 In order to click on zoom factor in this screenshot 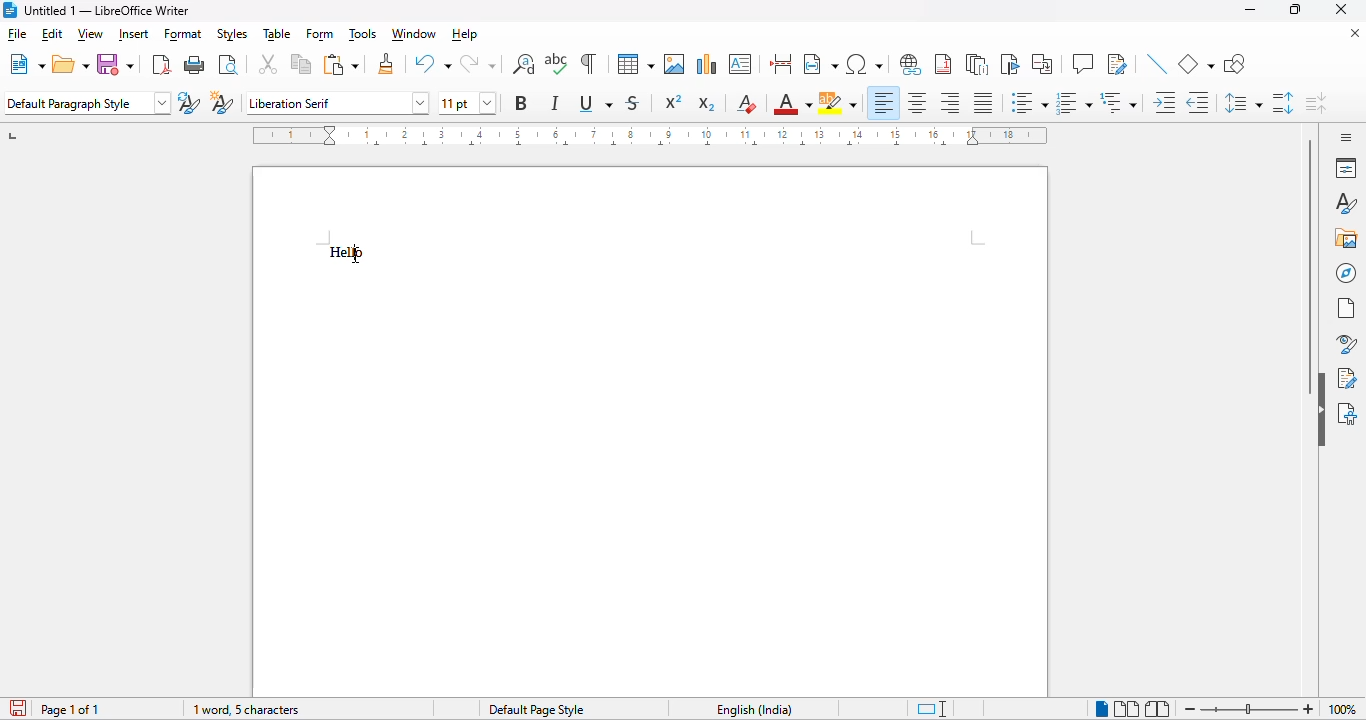, I will do `click(1345, 710)`.